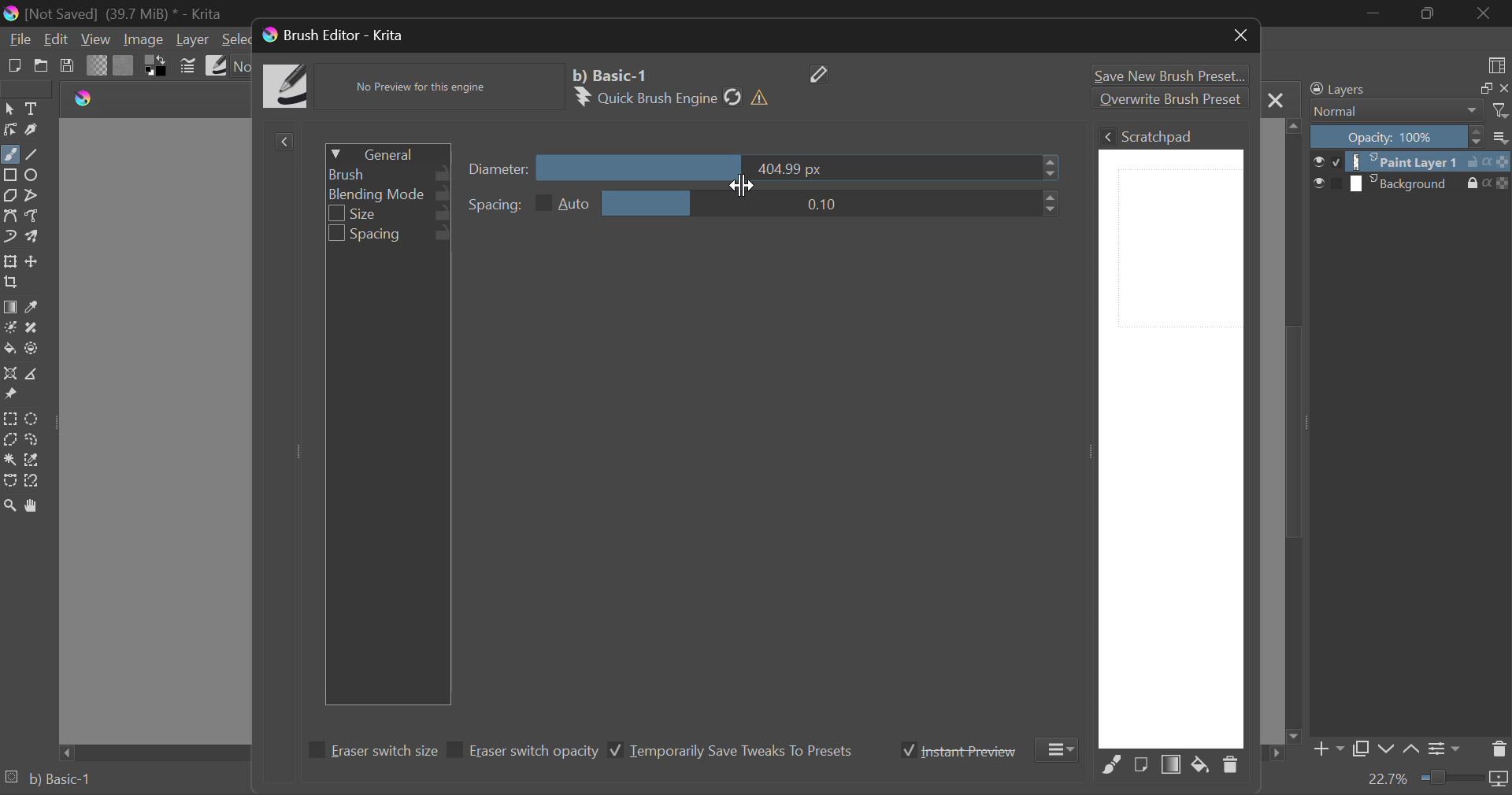 The width and height of the screenshot is (1512, 795). What do you see at coordinates (1362, 749) in the screenshot?
I see `Copy Layer` at bounding box center [1362, 749].